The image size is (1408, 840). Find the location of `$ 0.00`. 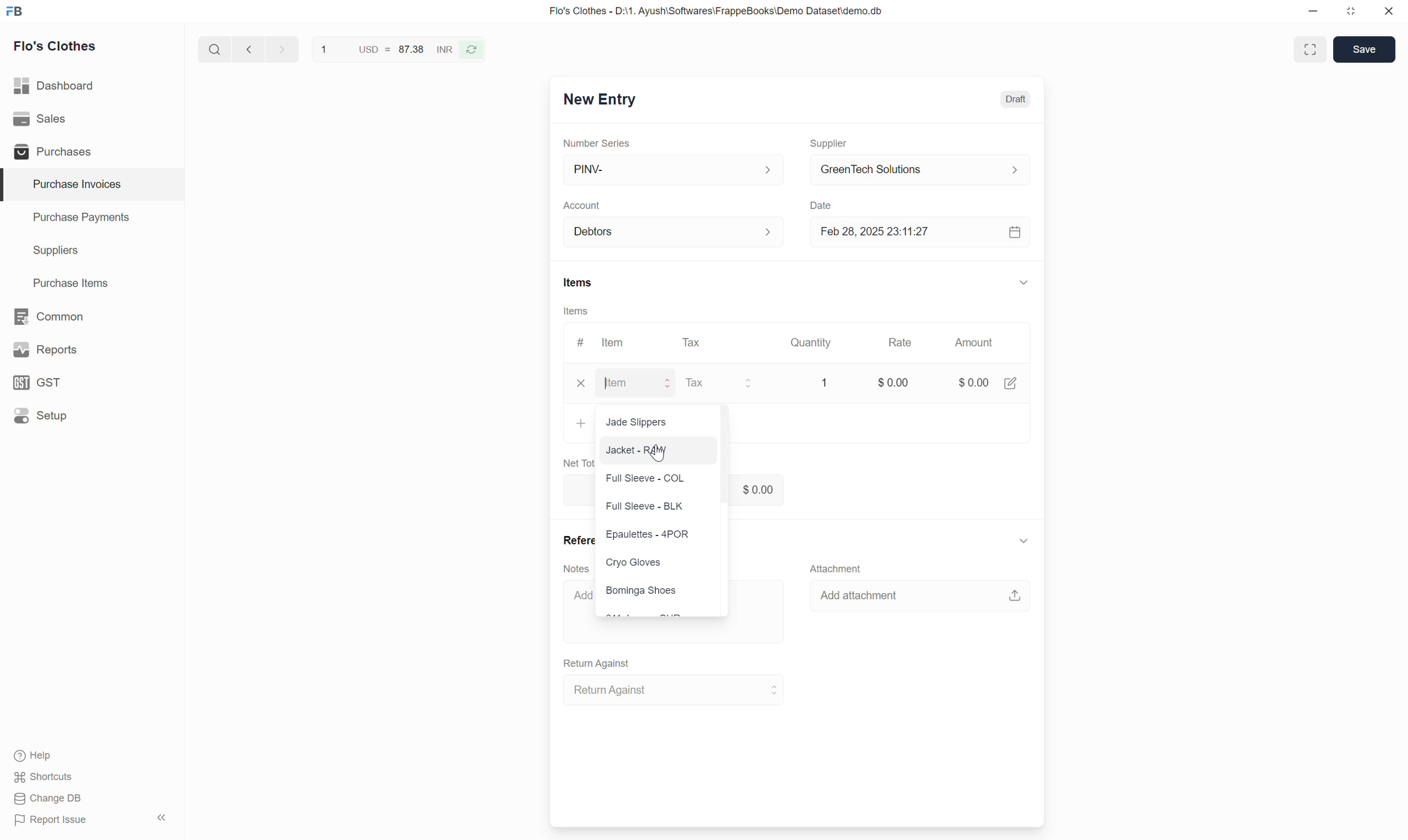

$ 0.00 is located at coordinates (759, 491).